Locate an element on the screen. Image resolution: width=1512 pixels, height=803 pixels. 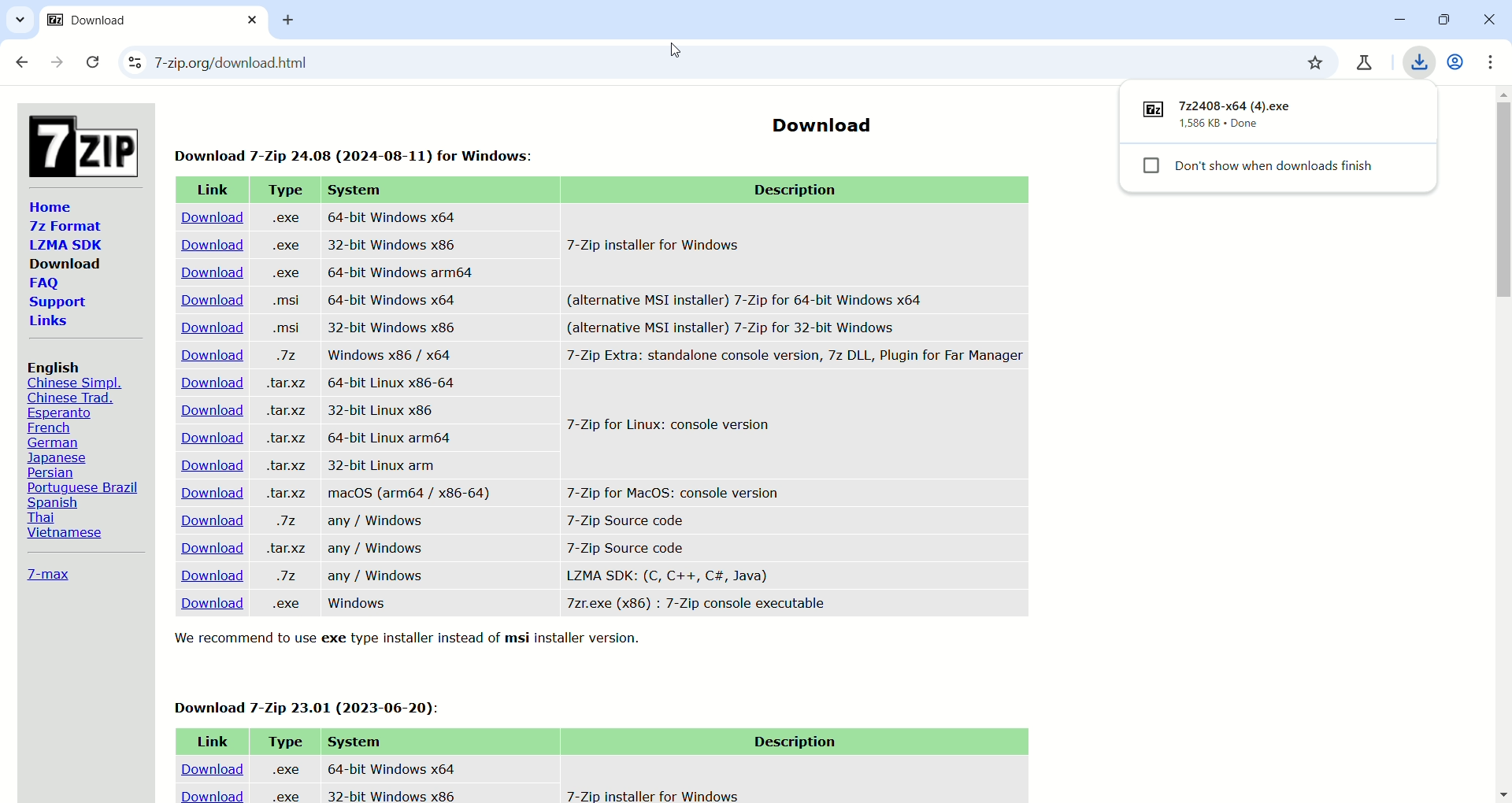
Download is located at coordinates (209, 244).